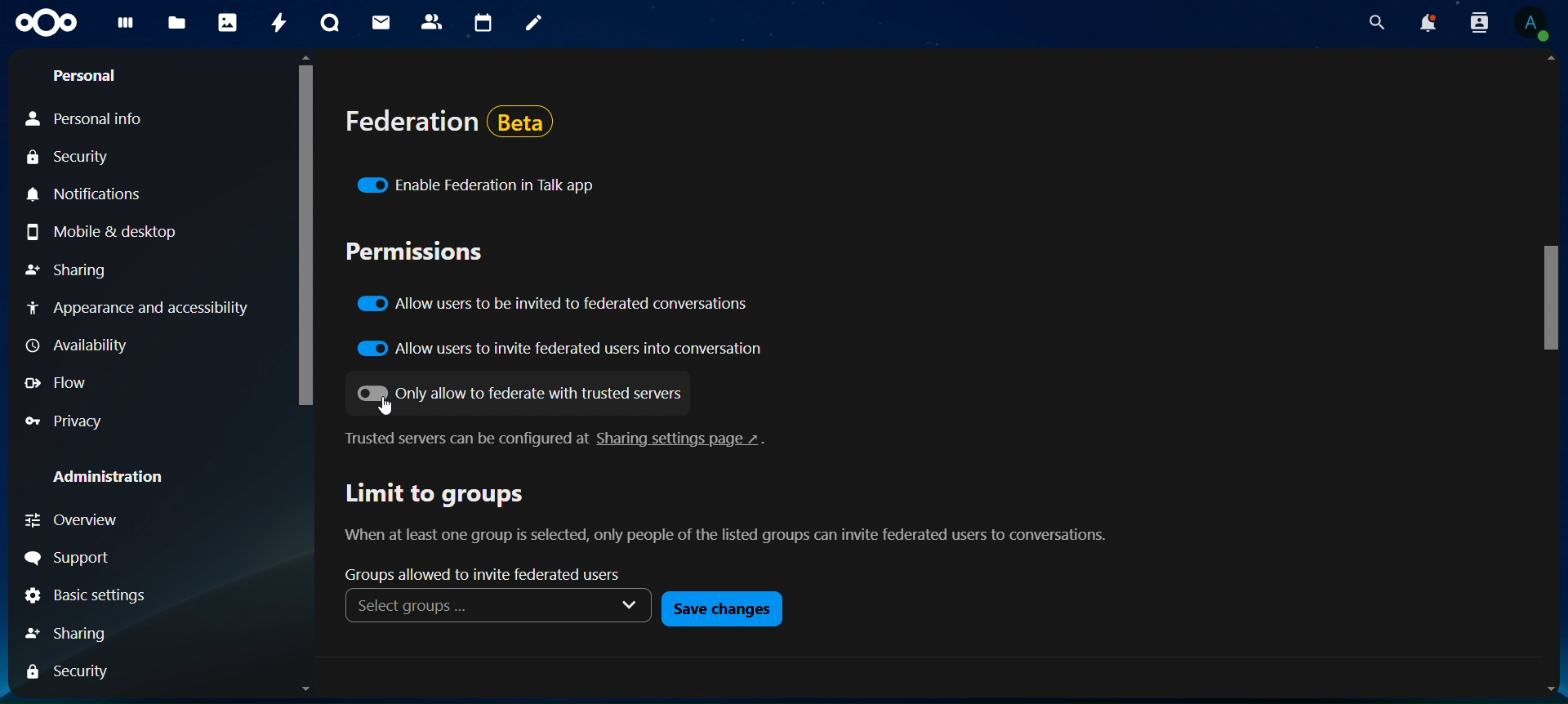 The width and height of the screenshot is (1568, 704). Describe the element at coordinates (721, 608) in the screenshot. I see `save changes` at that location.